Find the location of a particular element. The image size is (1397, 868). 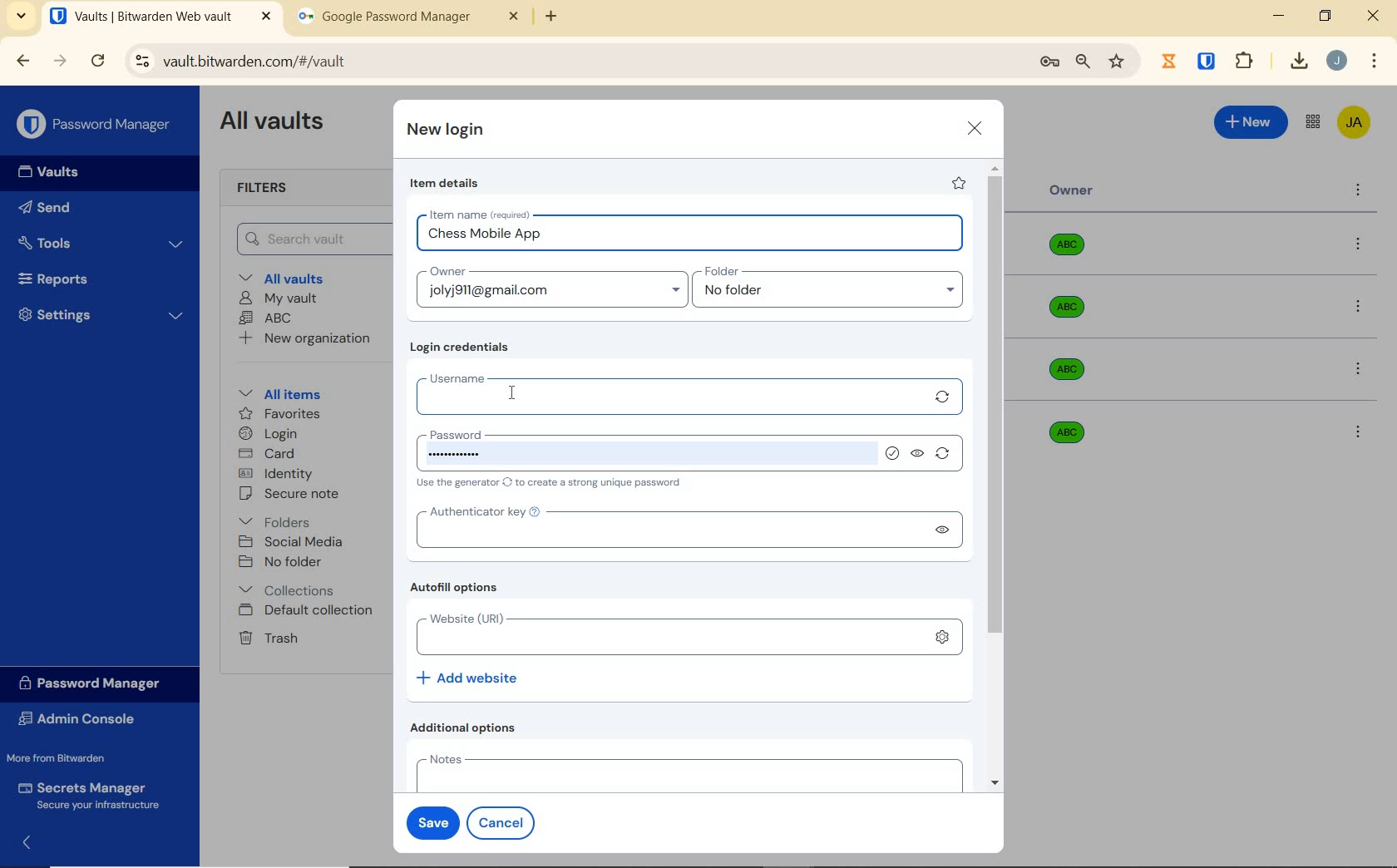

address bar is located at coordinates (573, 62).